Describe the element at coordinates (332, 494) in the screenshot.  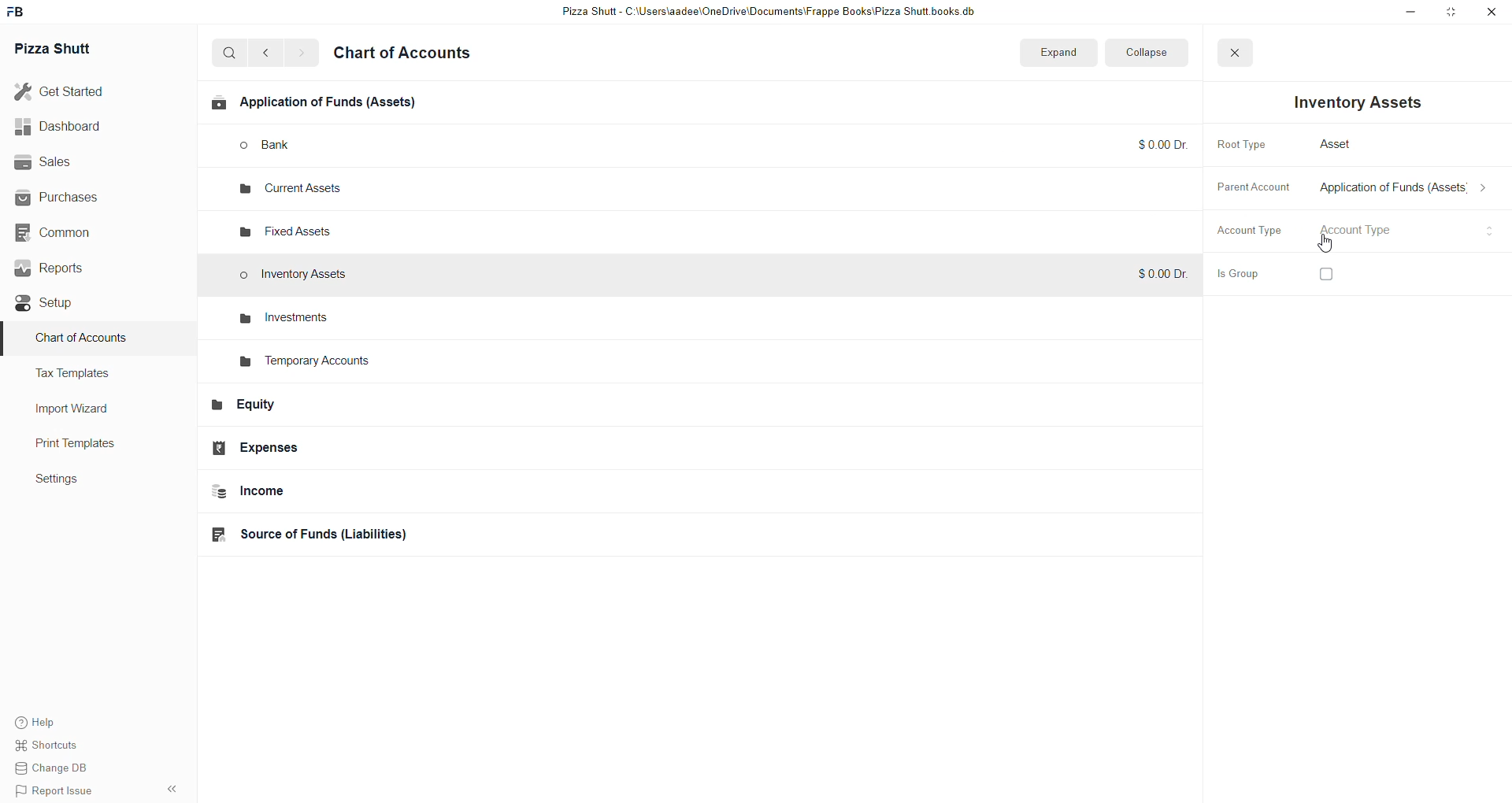
I see `Income ` at that location.